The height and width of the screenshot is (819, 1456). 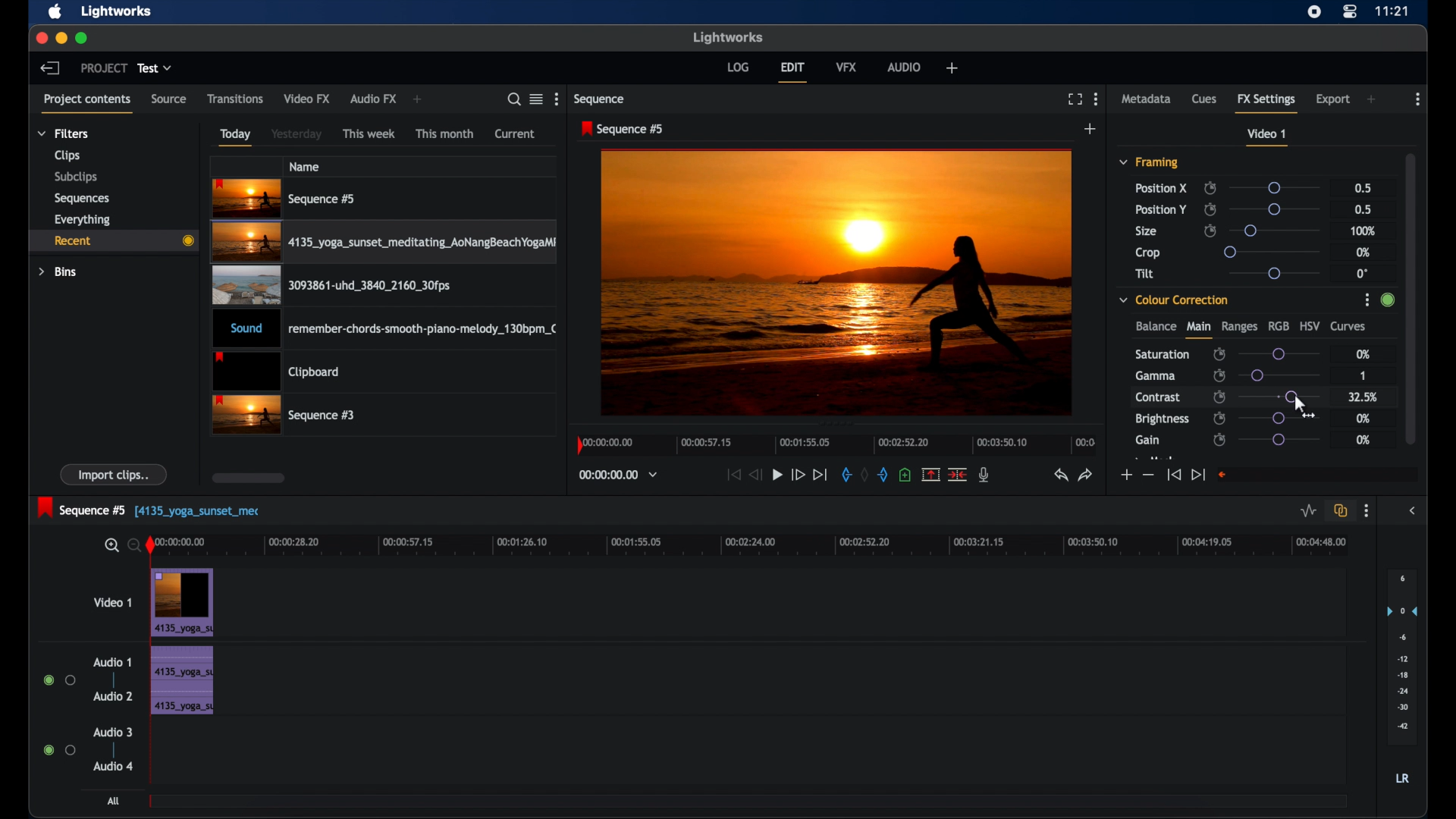 What do you see at coordinates (1277, 230) in the screenshot?
I see `slider` at bounding box center [1277, 230].